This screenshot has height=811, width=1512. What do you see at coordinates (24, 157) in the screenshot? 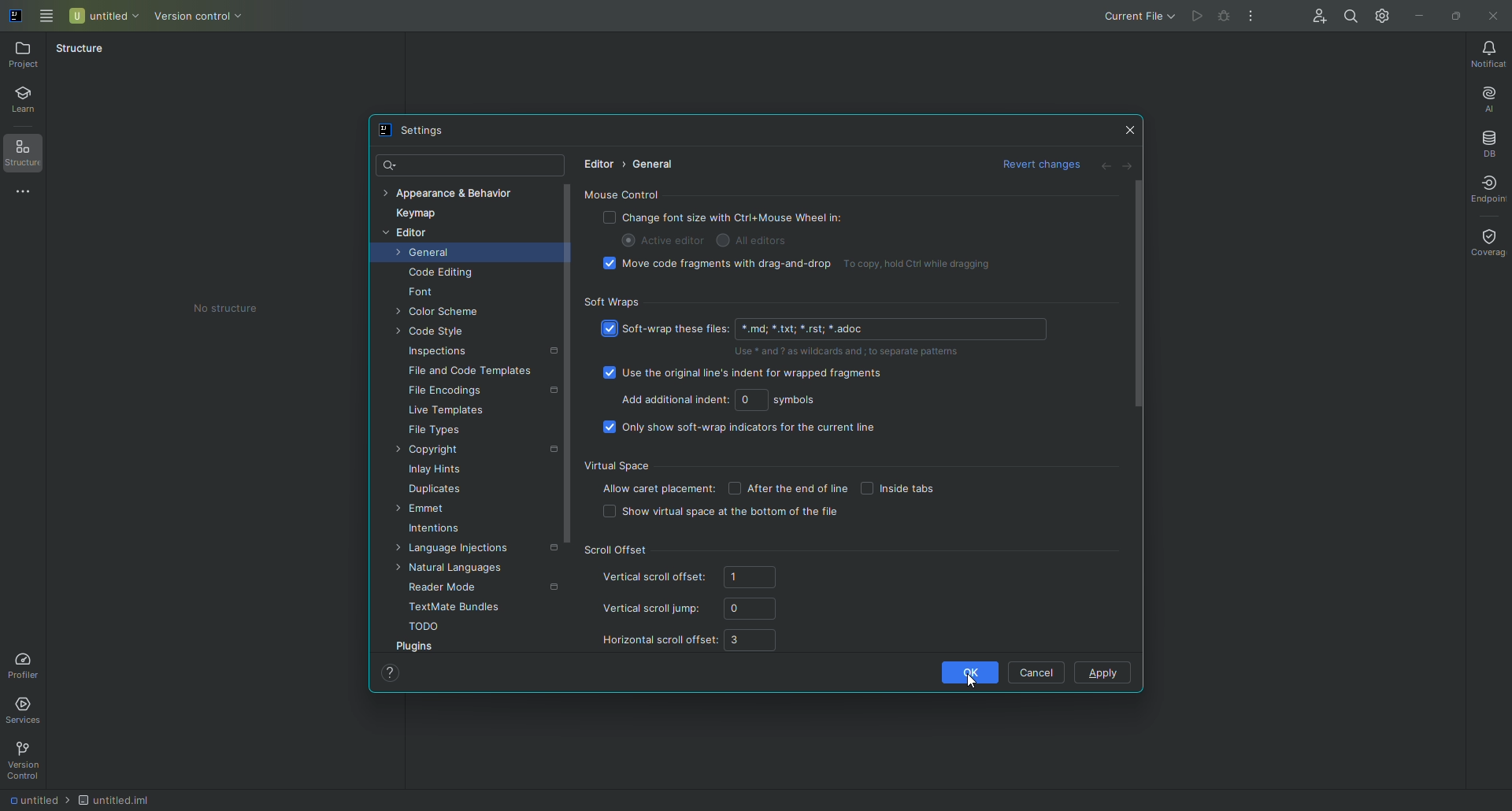
I see `Structure` at bounding box center [24, 157].